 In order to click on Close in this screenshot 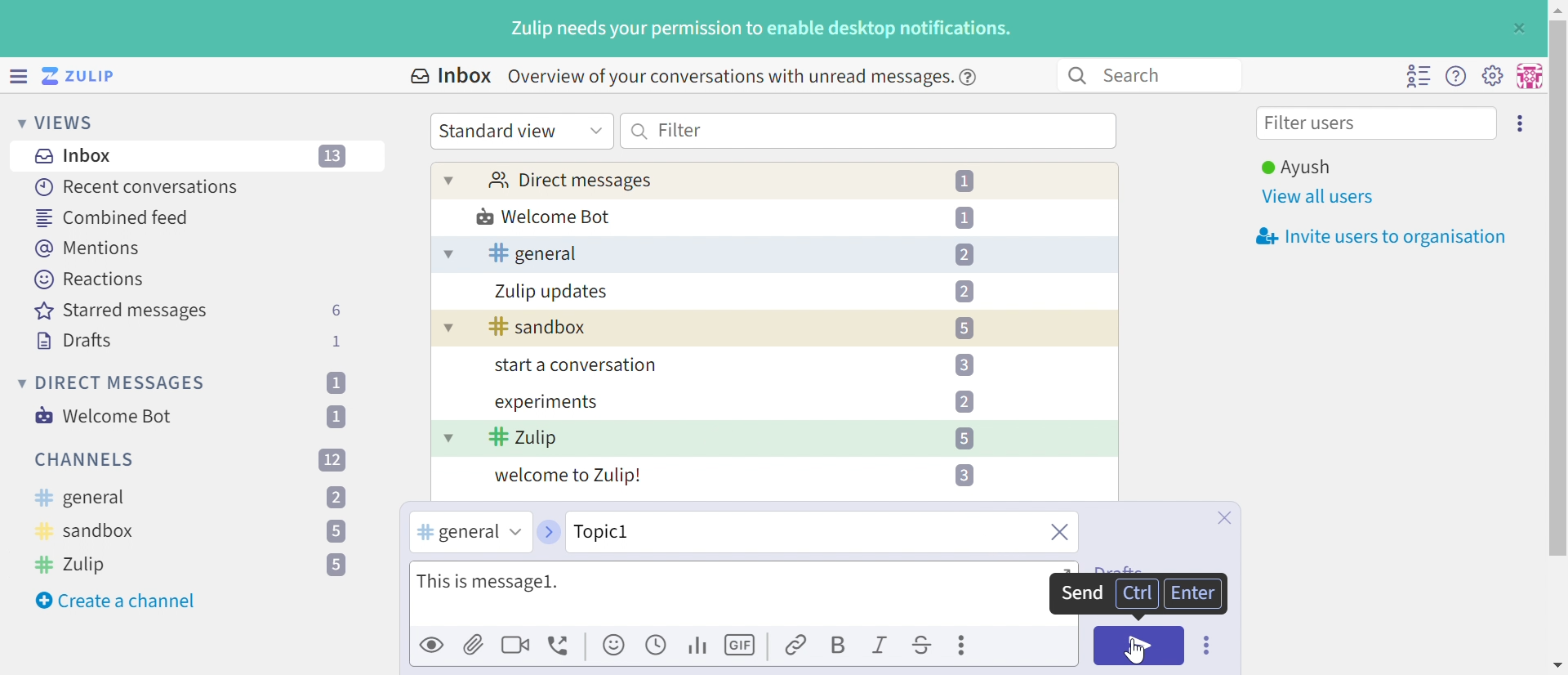, I will do `click(1517, 29)`.